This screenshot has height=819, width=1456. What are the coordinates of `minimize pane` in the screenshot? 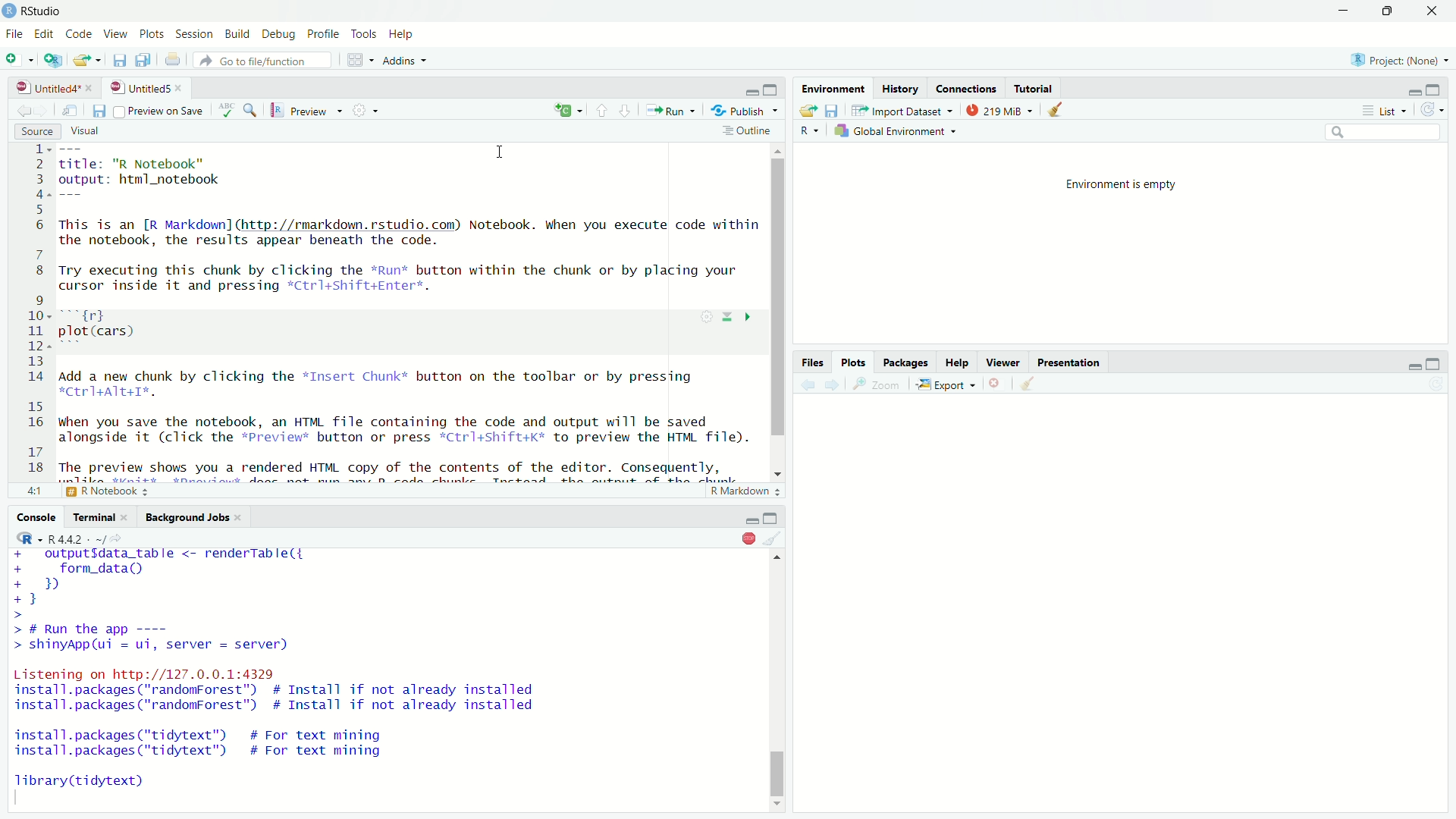 It's located at (750, 88).